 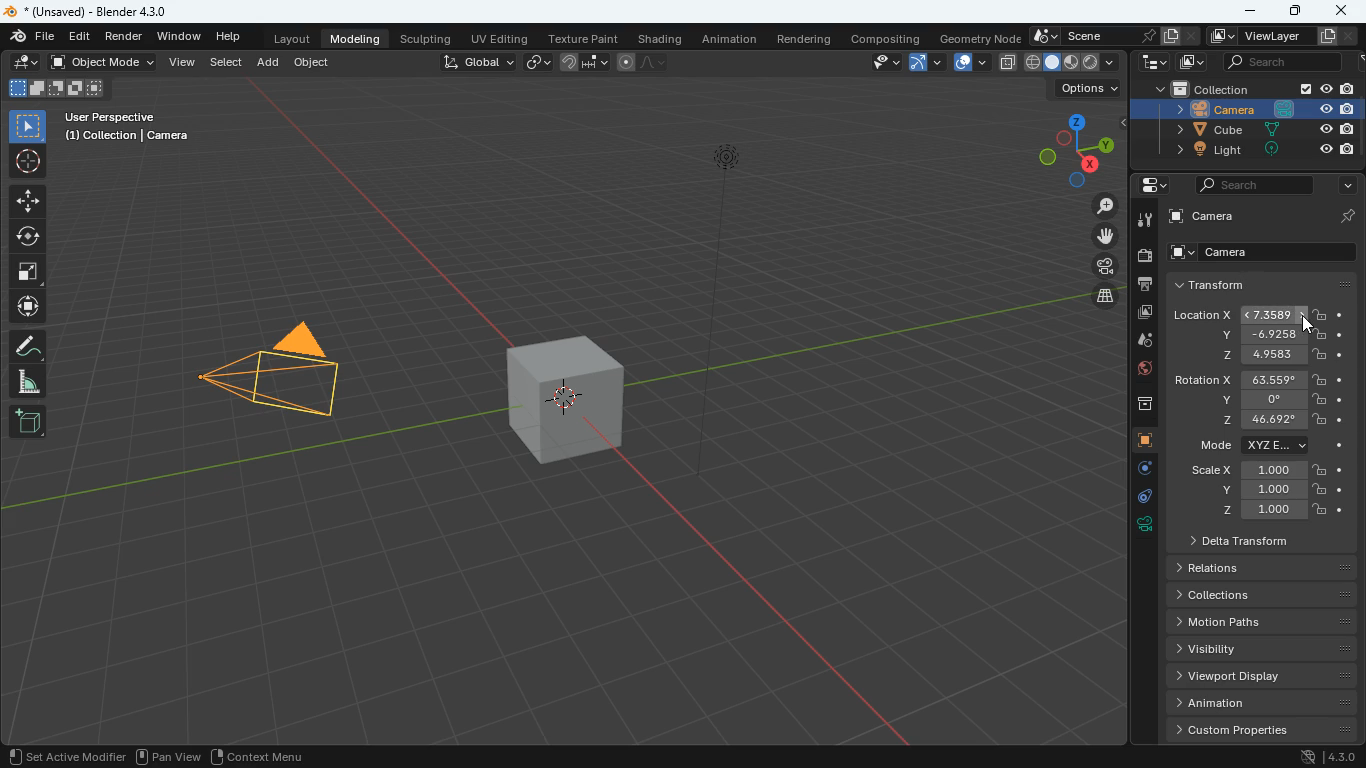 I want to click on drop, so click(x=1140, y=342).